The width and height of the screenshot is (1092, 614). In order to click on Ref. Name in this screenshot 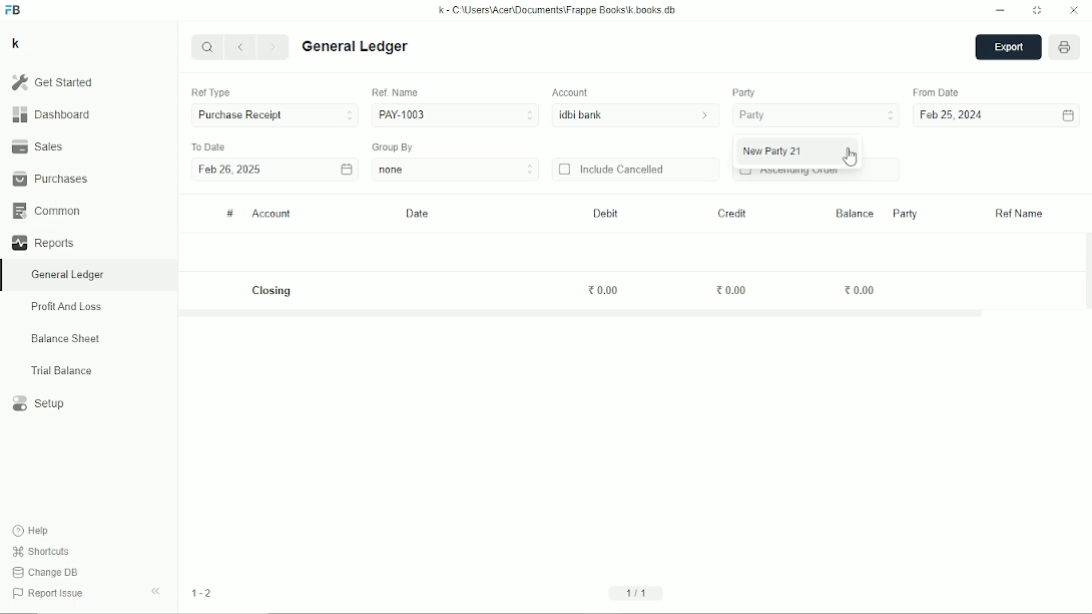, I will do `click(395, 92)`.